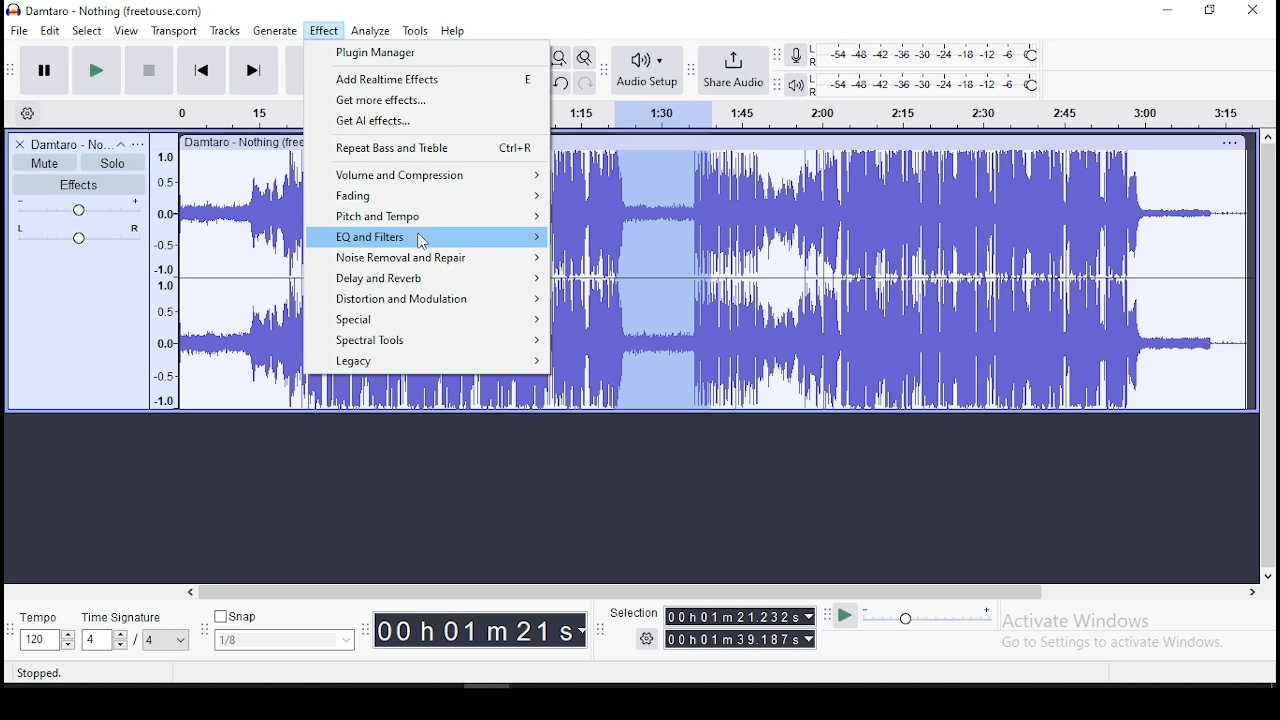 Image resolution: width=1280 pixels, height=720 pixels. Describe the element at coordinates (269, 640) in the screenshot. I see `1/8` at that location.